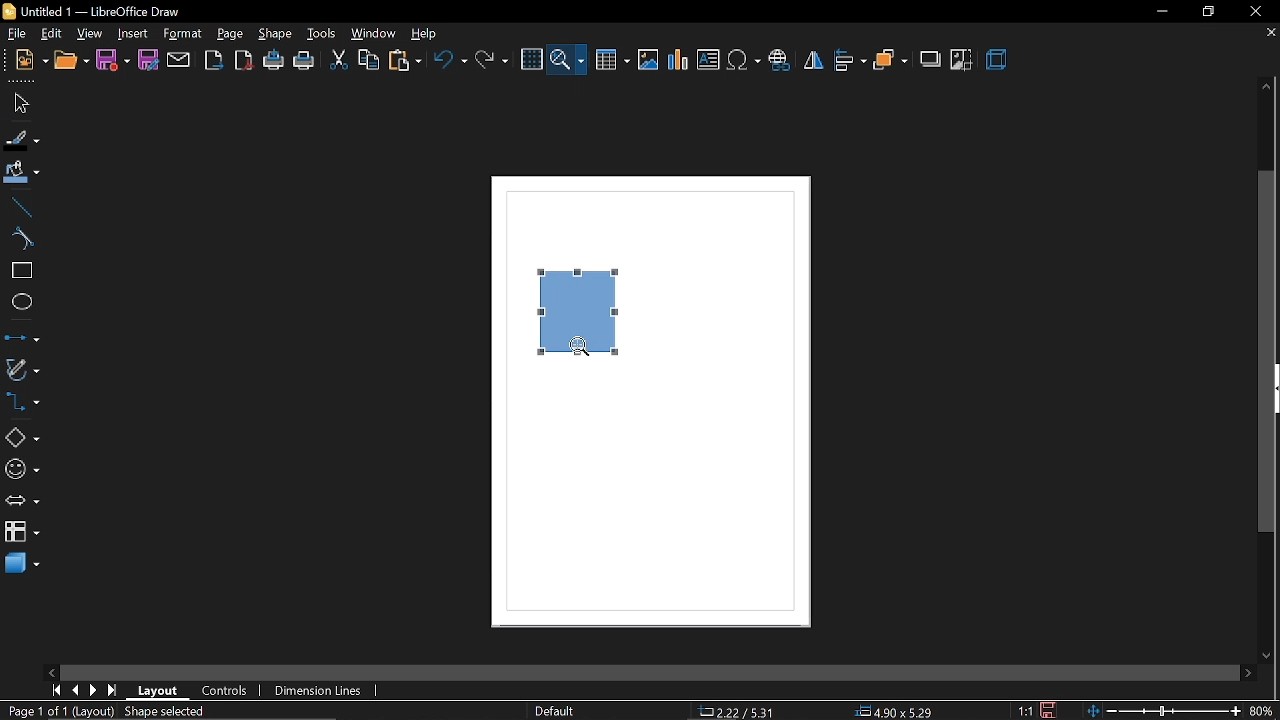 The image size is (1280, 720). Describe the element at coordinates (226, 691) in the screenshot. I see `controls` at that location.